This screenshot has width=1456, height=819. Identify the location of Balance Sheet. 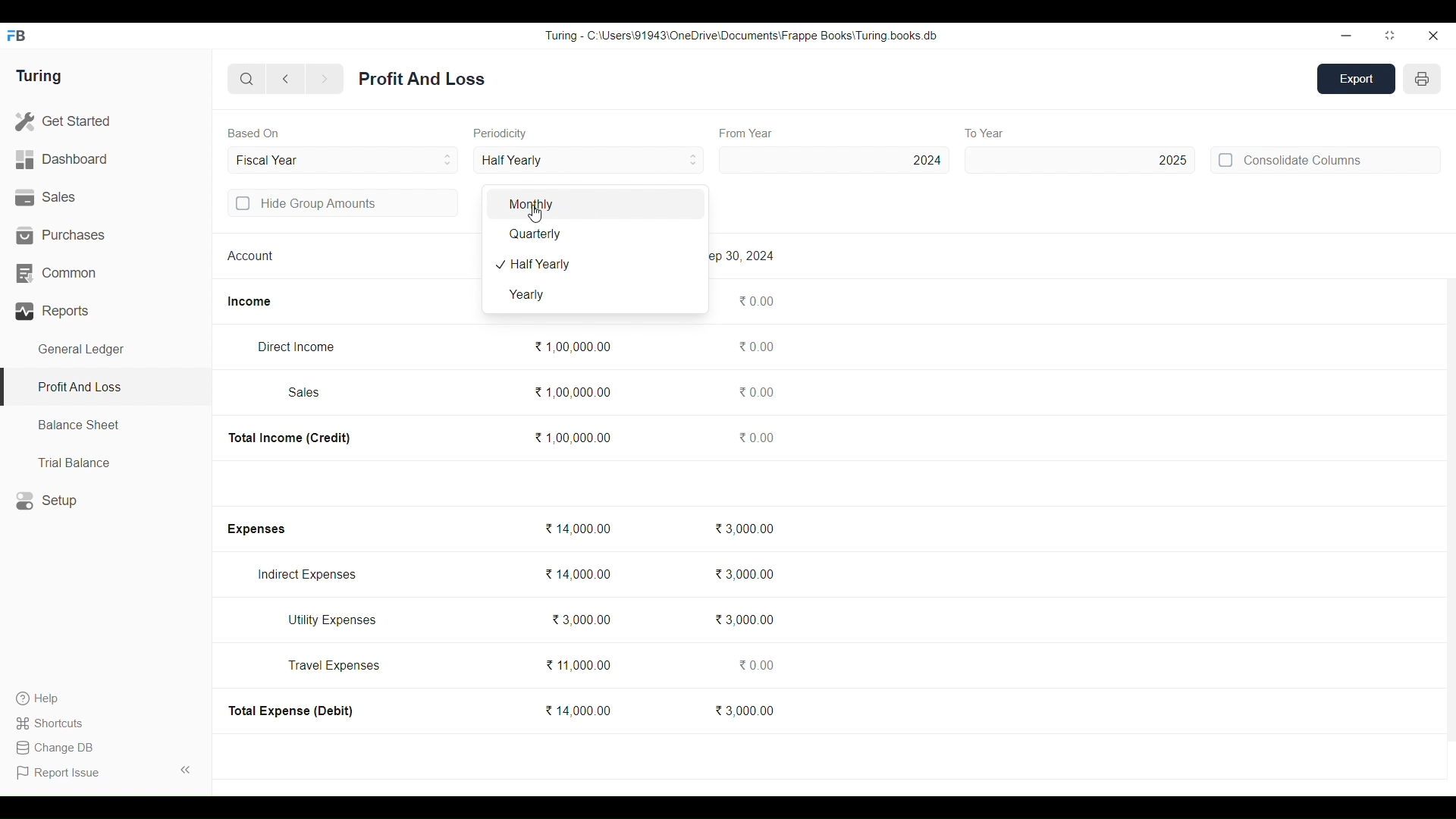
(106, 425).